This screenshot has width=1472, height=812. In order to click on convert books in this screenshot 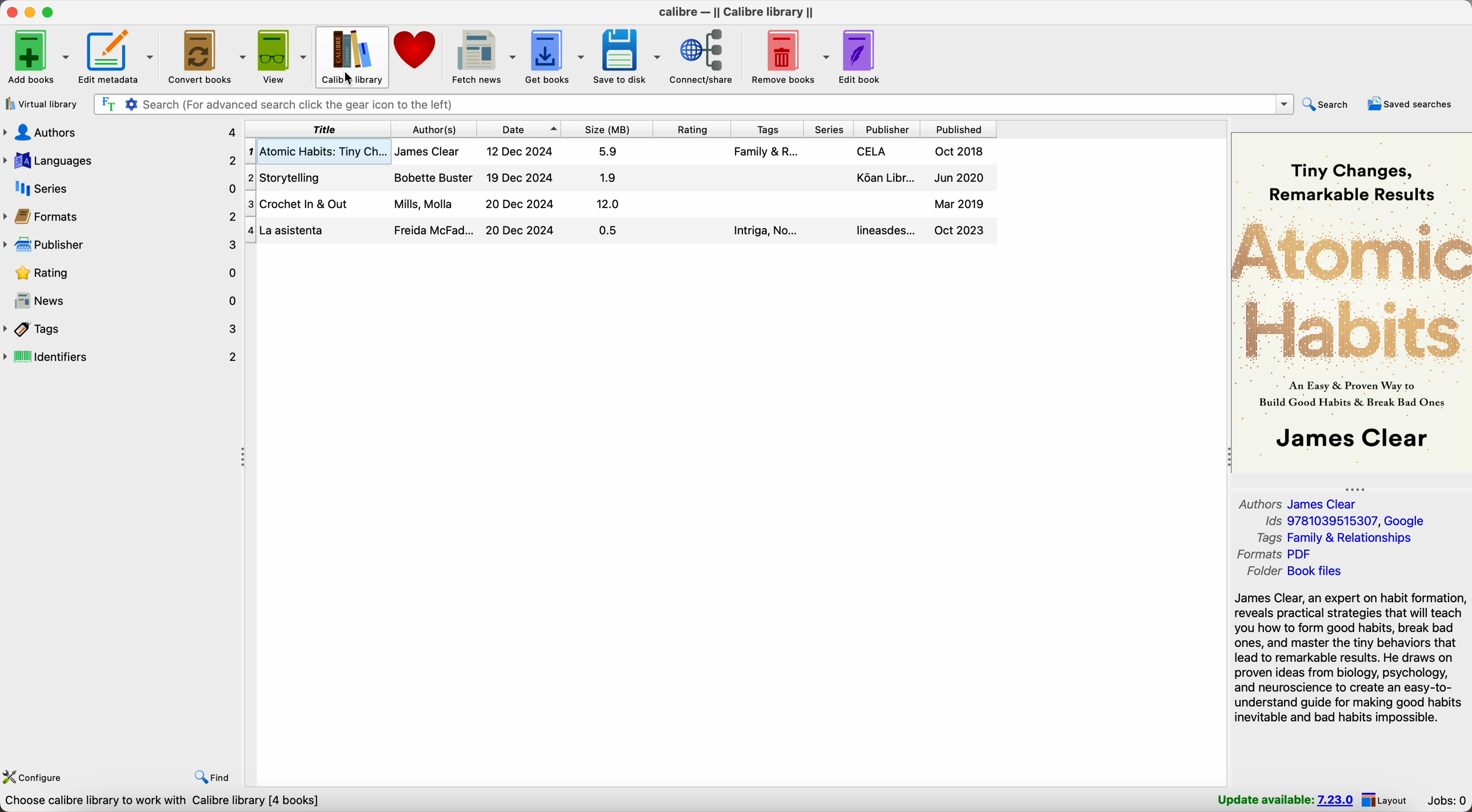, I will do `click(207, 56)`.